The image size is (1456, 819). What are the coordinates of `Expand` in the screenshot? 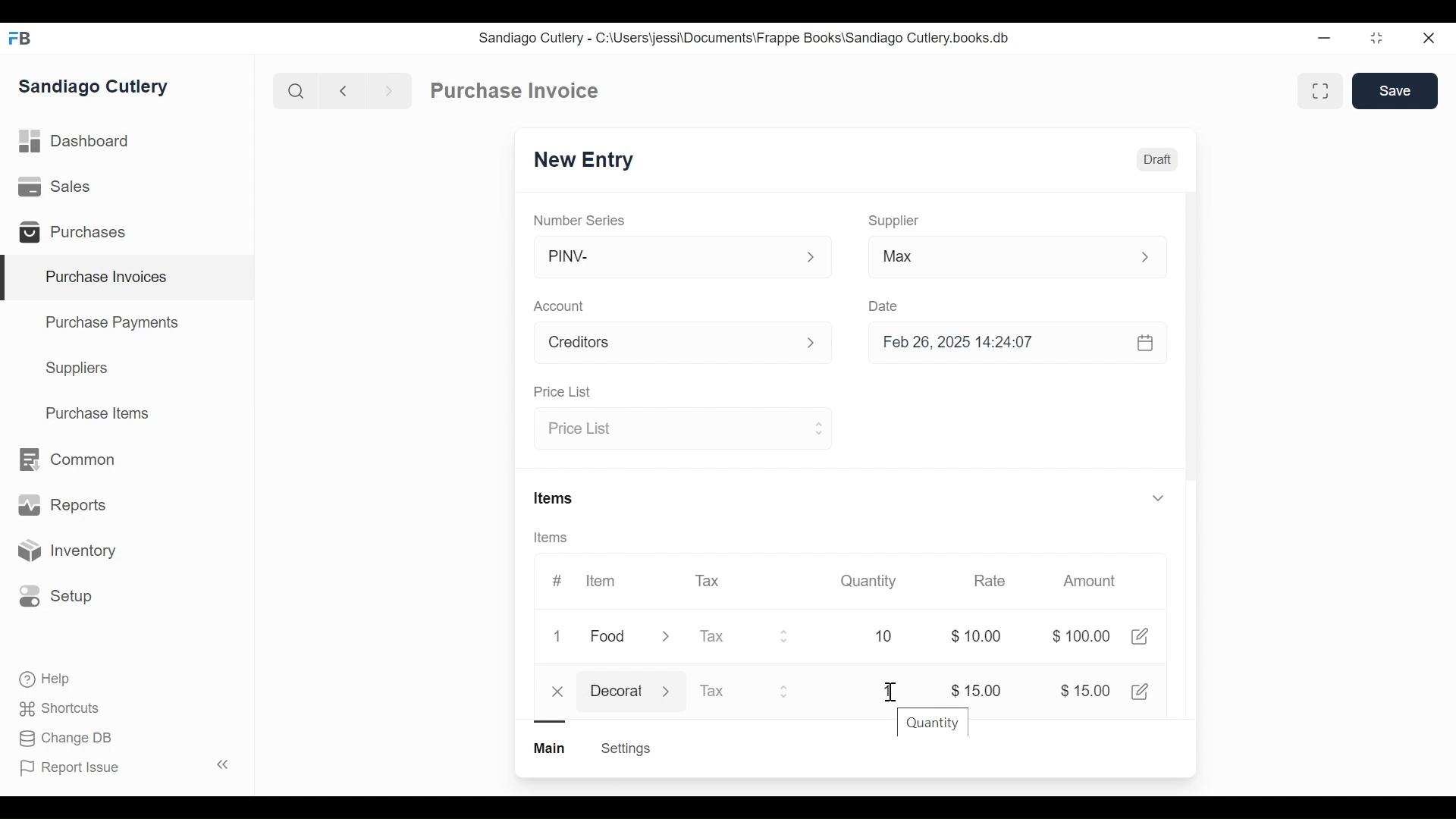 It's located at (785, 636).